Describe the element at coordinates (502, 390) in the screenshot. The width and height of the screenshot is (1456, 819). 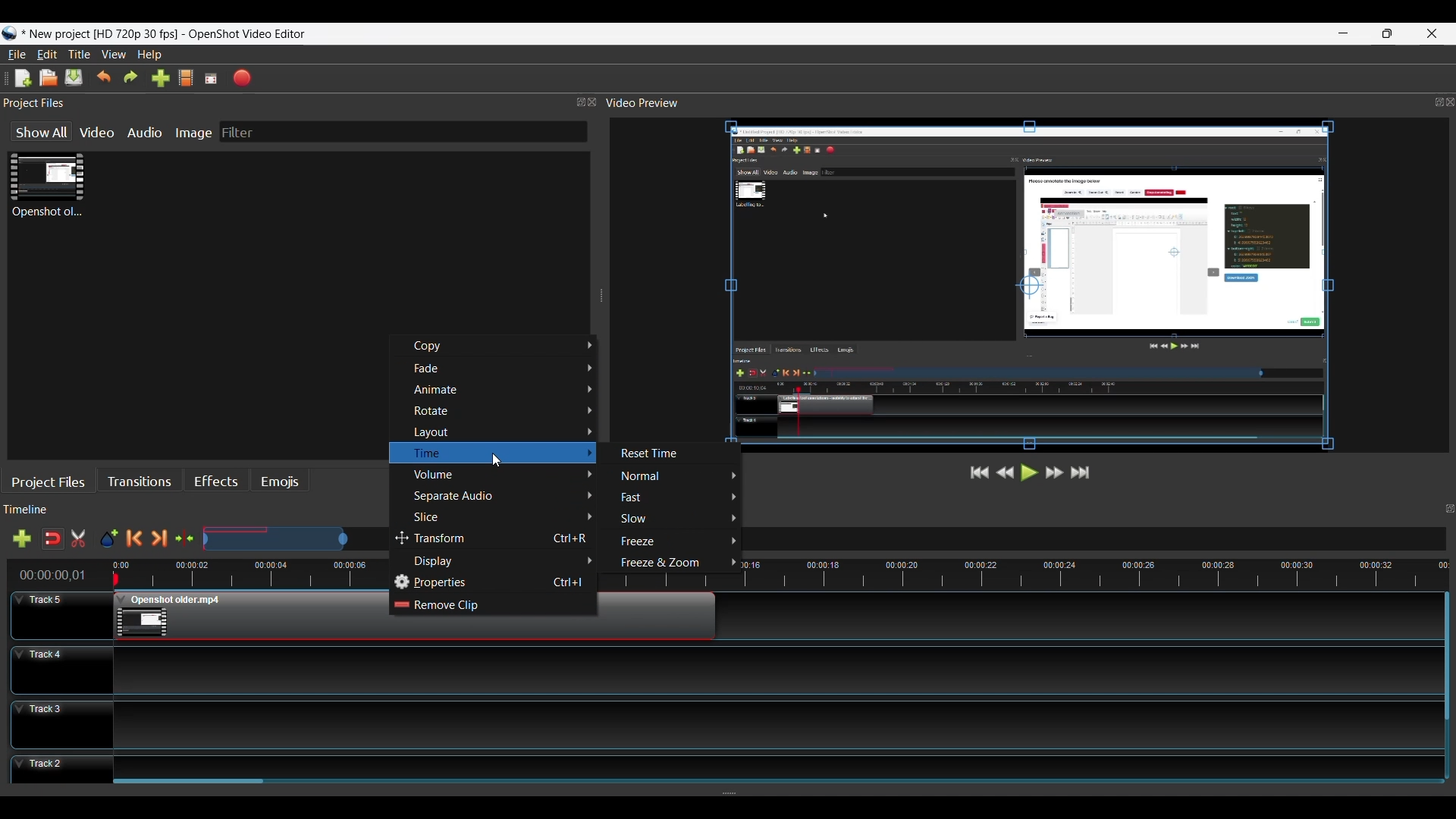
I see `Animate` at that location.